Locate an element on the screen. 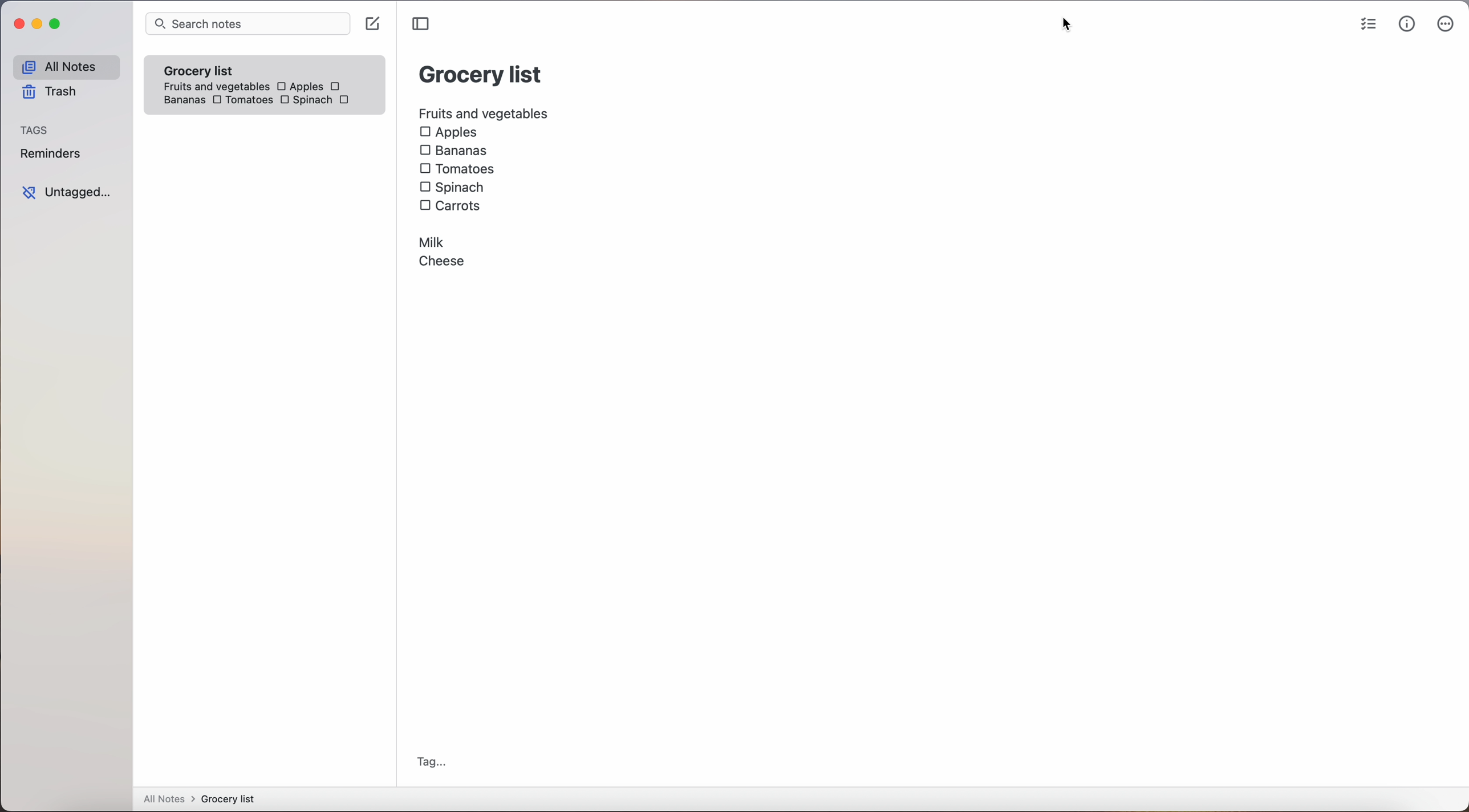 The height and width of the screenshot is (812, 1469). Grocery list is located at coordinates (480, 76).